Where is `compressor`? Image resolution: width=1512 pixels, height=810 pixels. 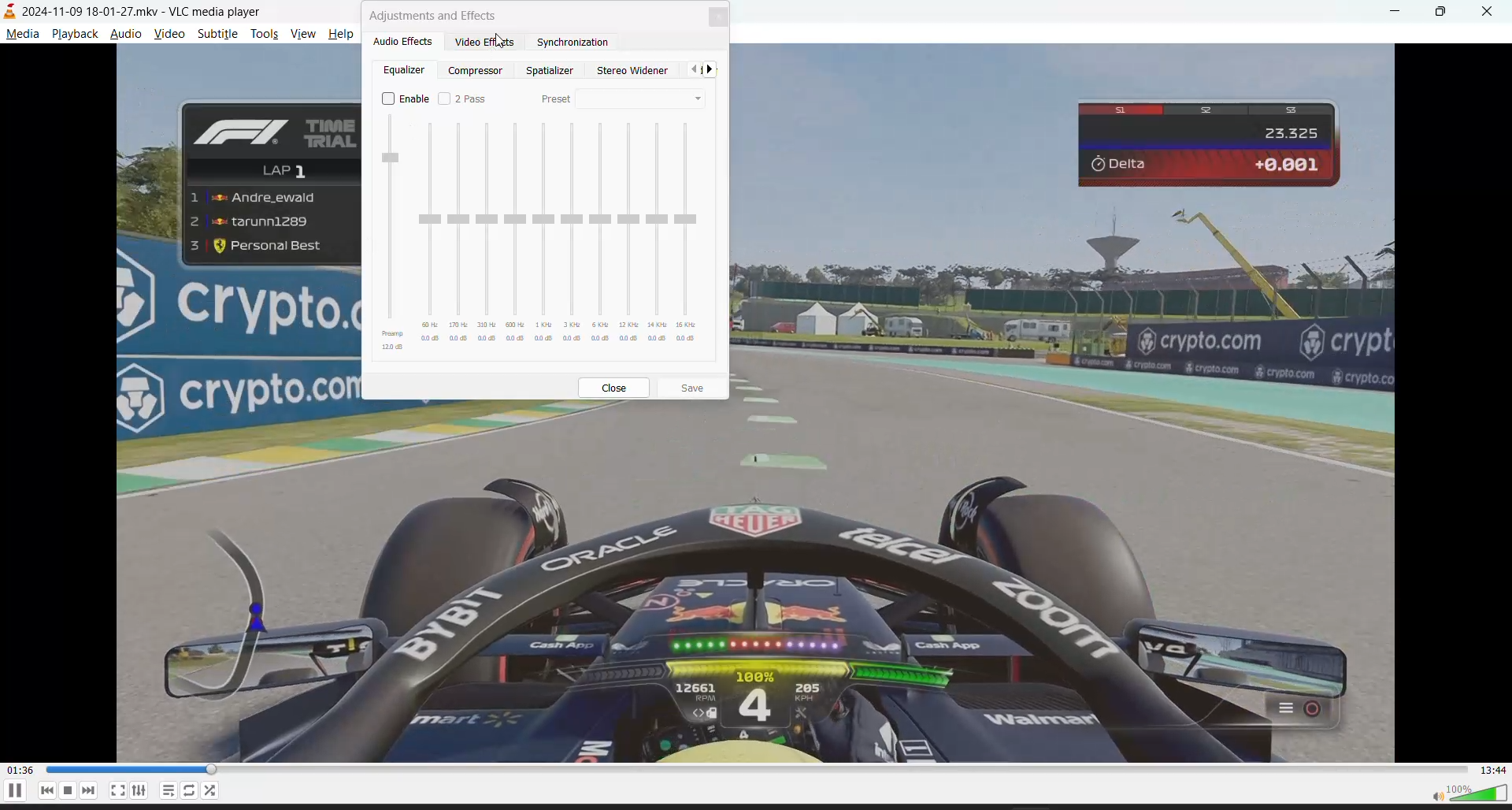 compressor is located at coordinates (480, 71).